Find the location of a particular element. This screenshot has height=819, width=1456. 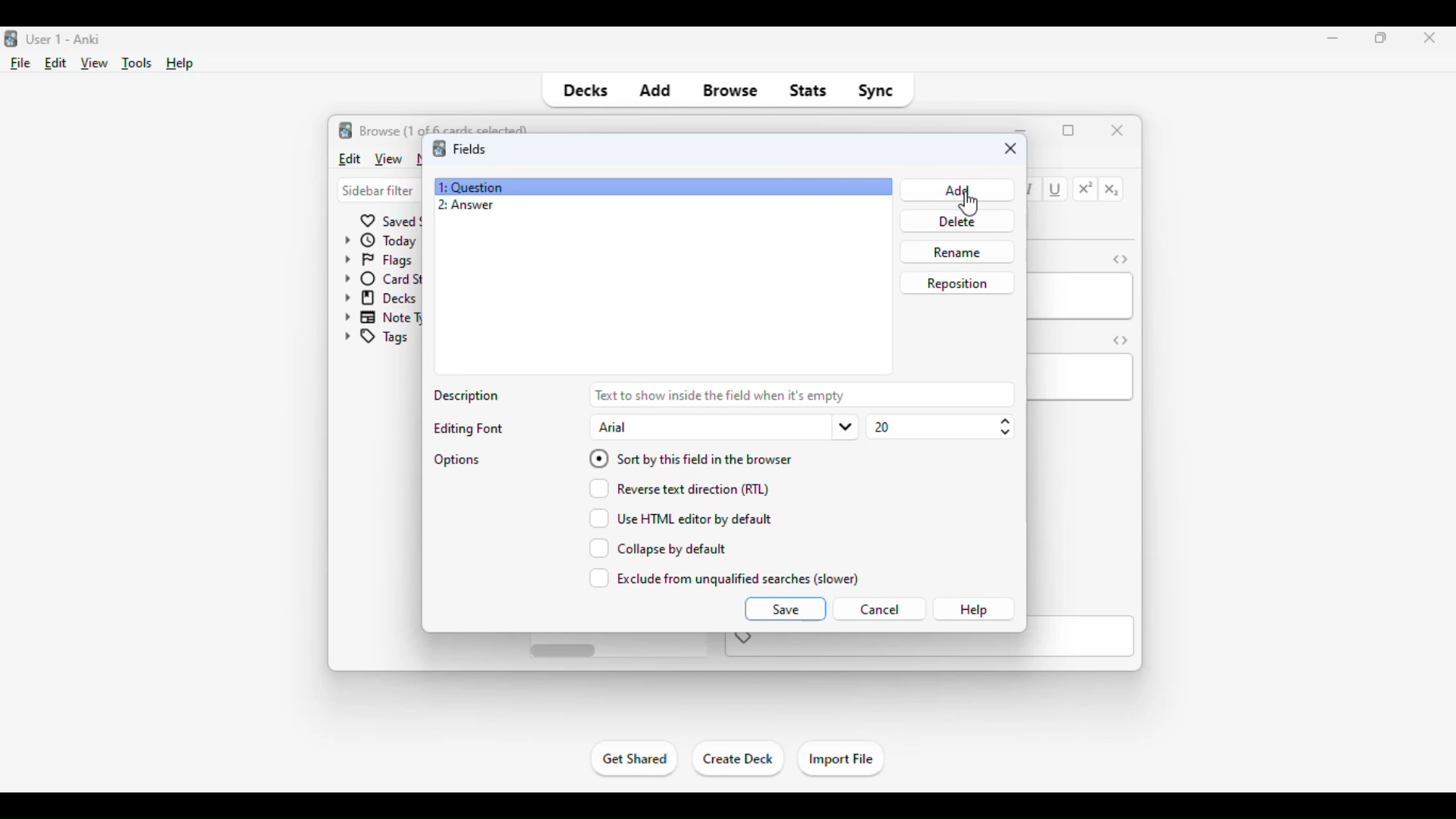

save is located at coordinates (784, 608).